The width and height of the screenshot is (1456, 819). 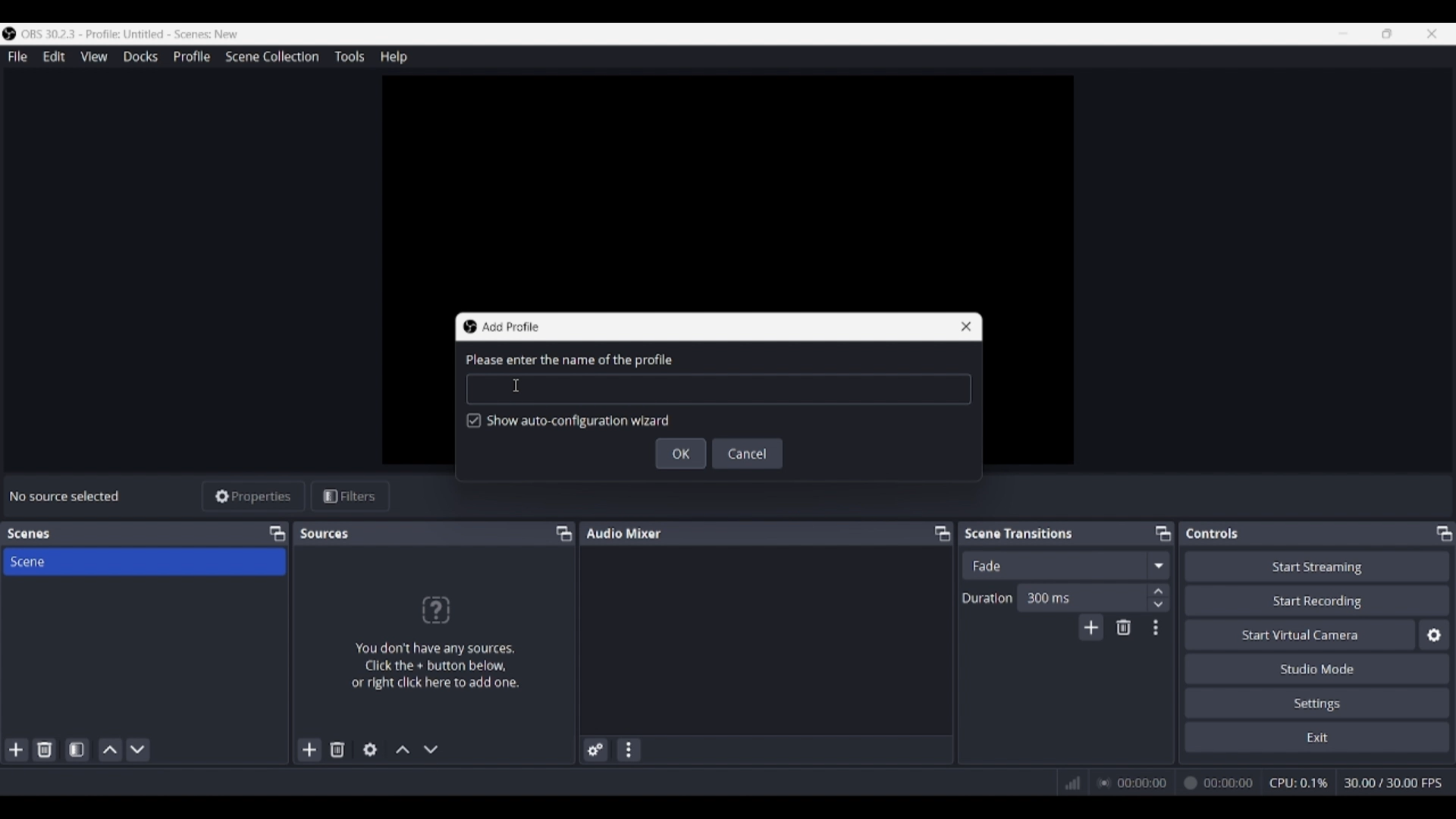 I want to click on Window title, so click(x=510, y=327).